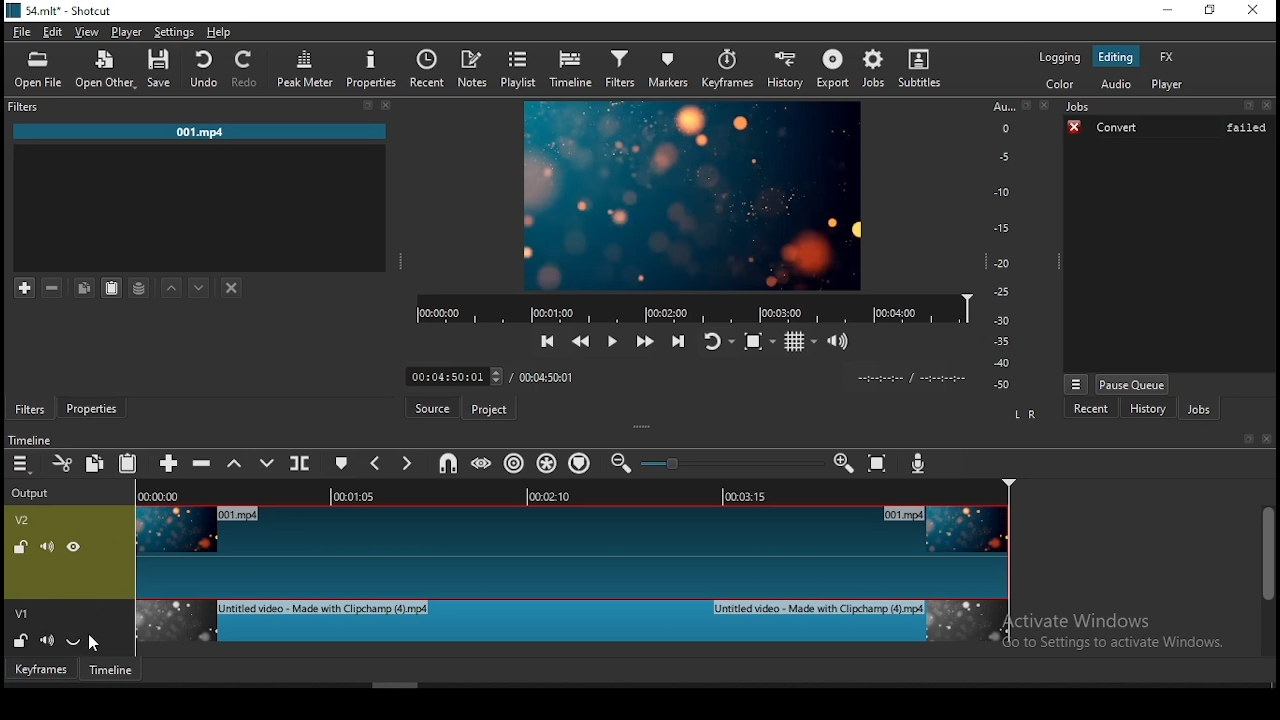 The height and width of the screenshot is (720, 1280). Describe the element at coordinates (1198, 409) in the screenshot. I see `jobs` at that location.